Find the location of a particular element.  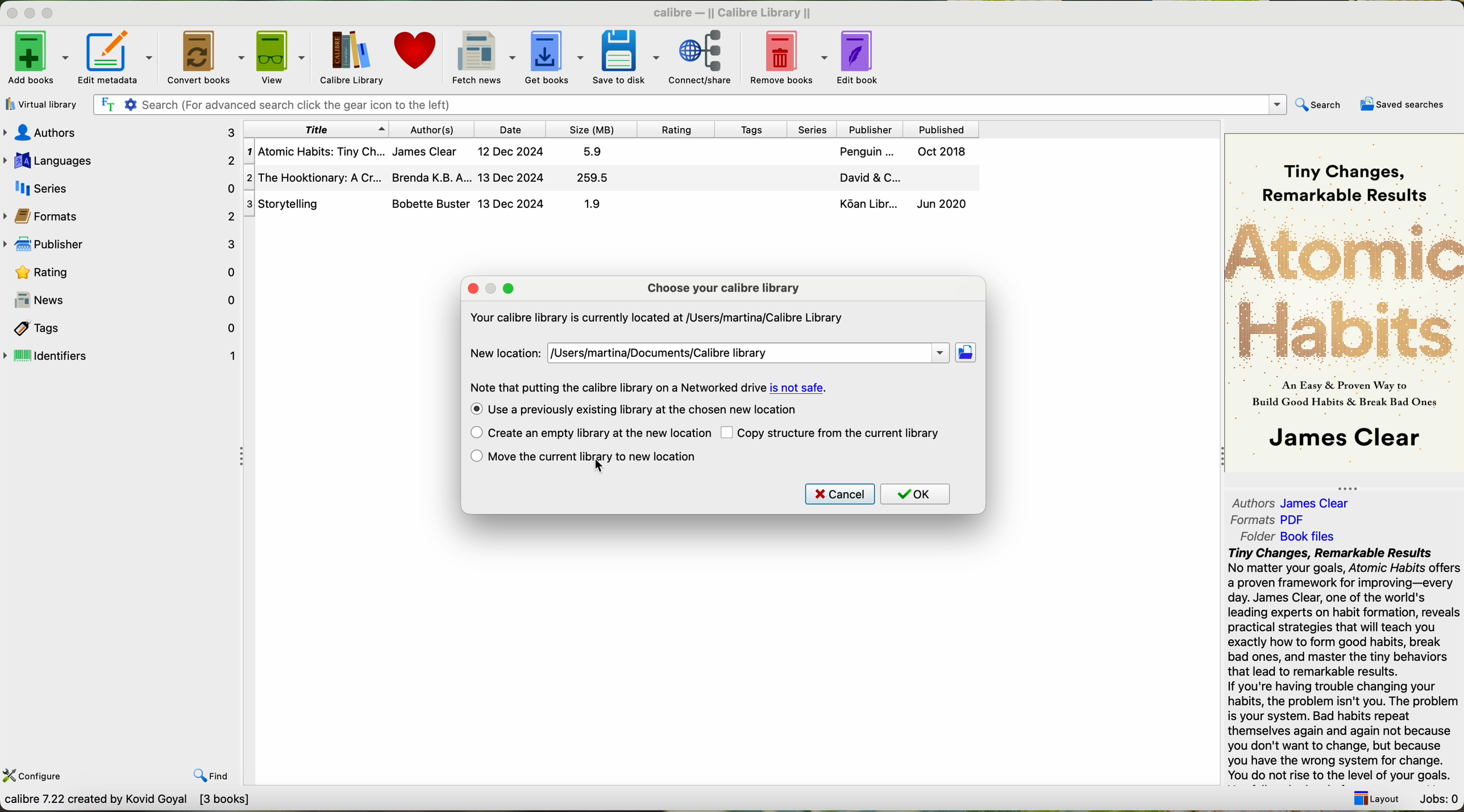

series is located at coordinates (816, 129).